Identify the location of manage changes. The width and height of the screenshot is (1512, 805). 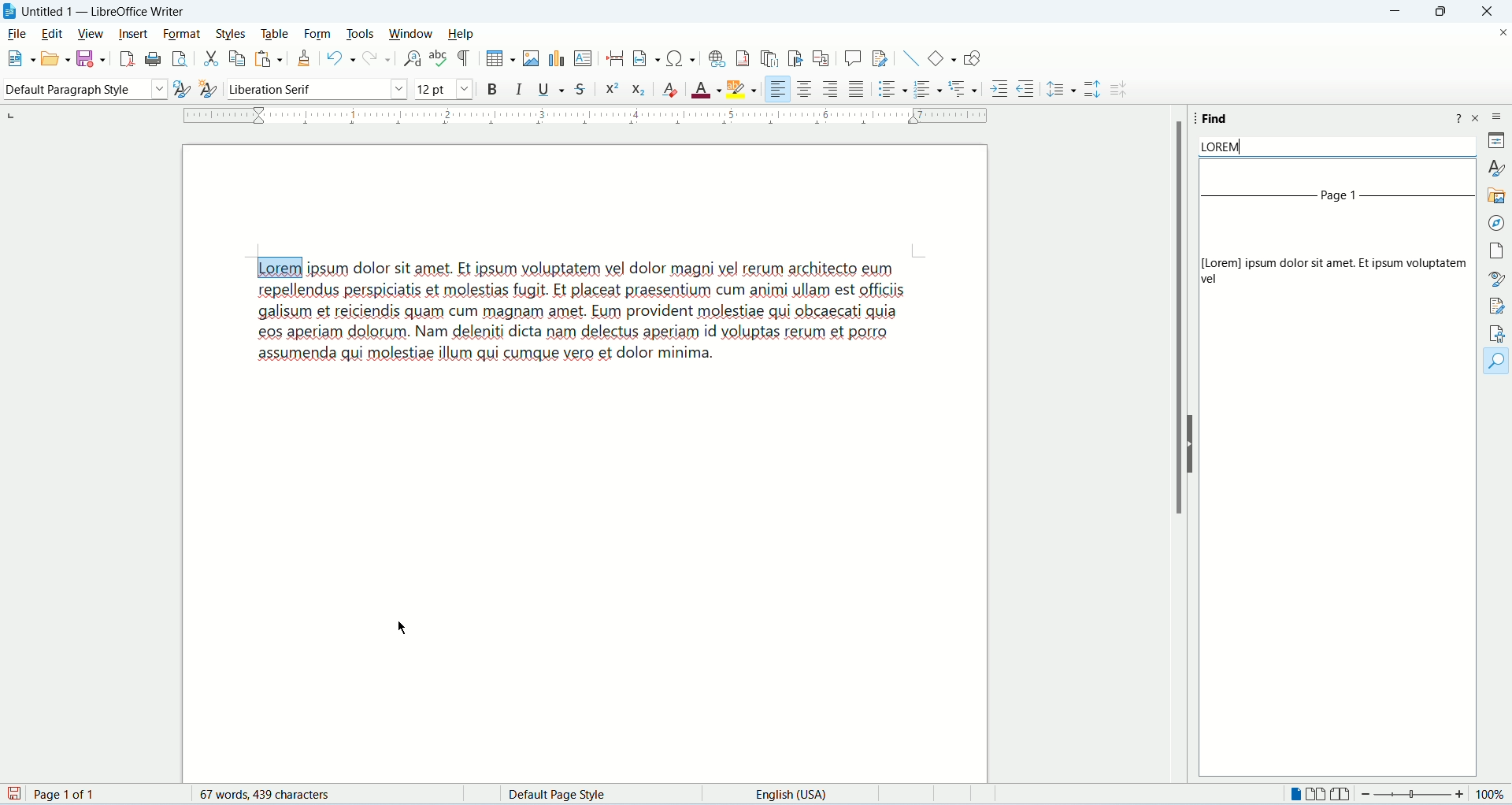
(1498, 308).